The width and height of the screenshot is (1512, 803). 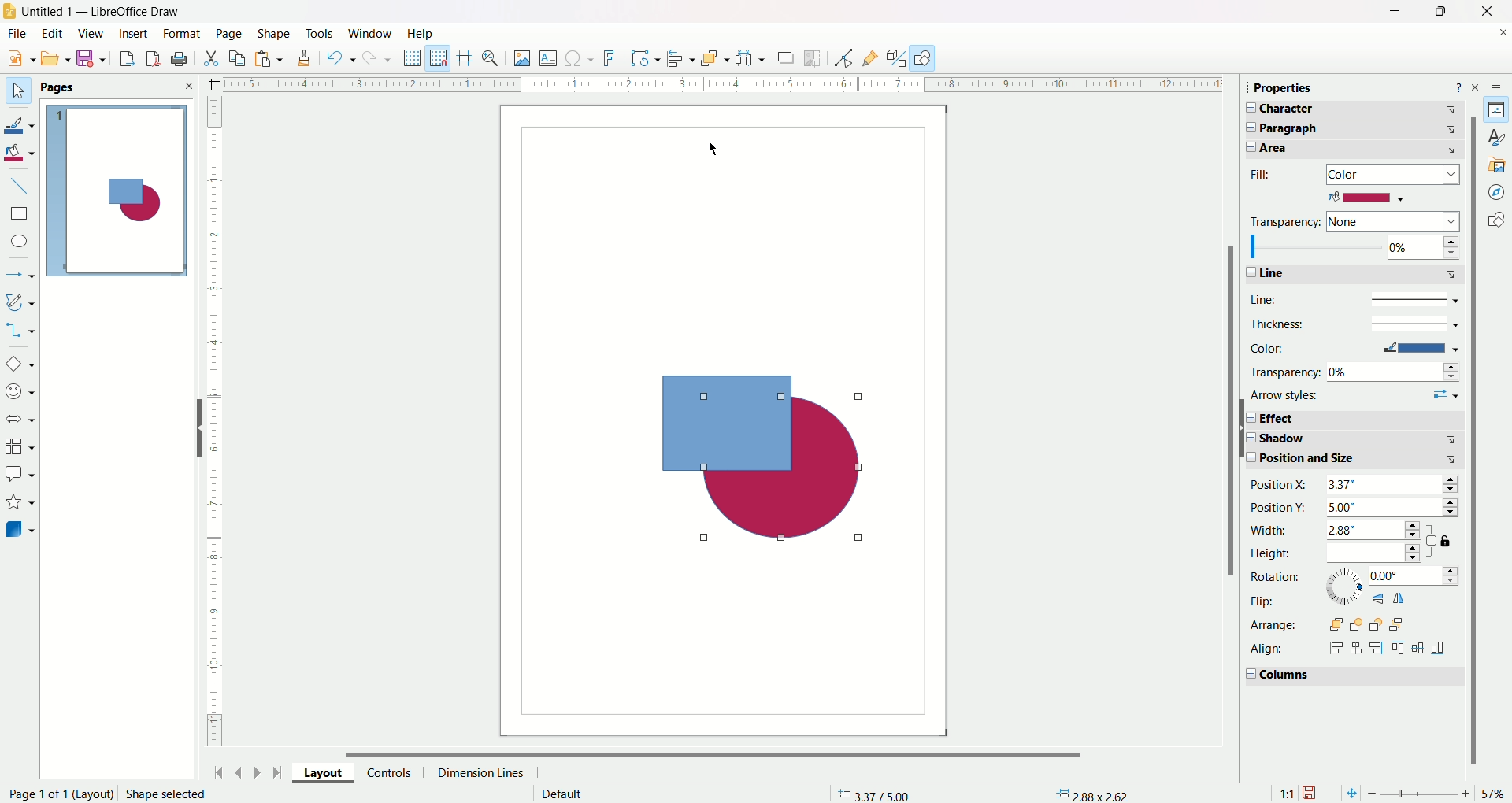 What do you see at coordinates (25, 186) in the screenshot?
I see `insert line` at bounding box center [25, 186].